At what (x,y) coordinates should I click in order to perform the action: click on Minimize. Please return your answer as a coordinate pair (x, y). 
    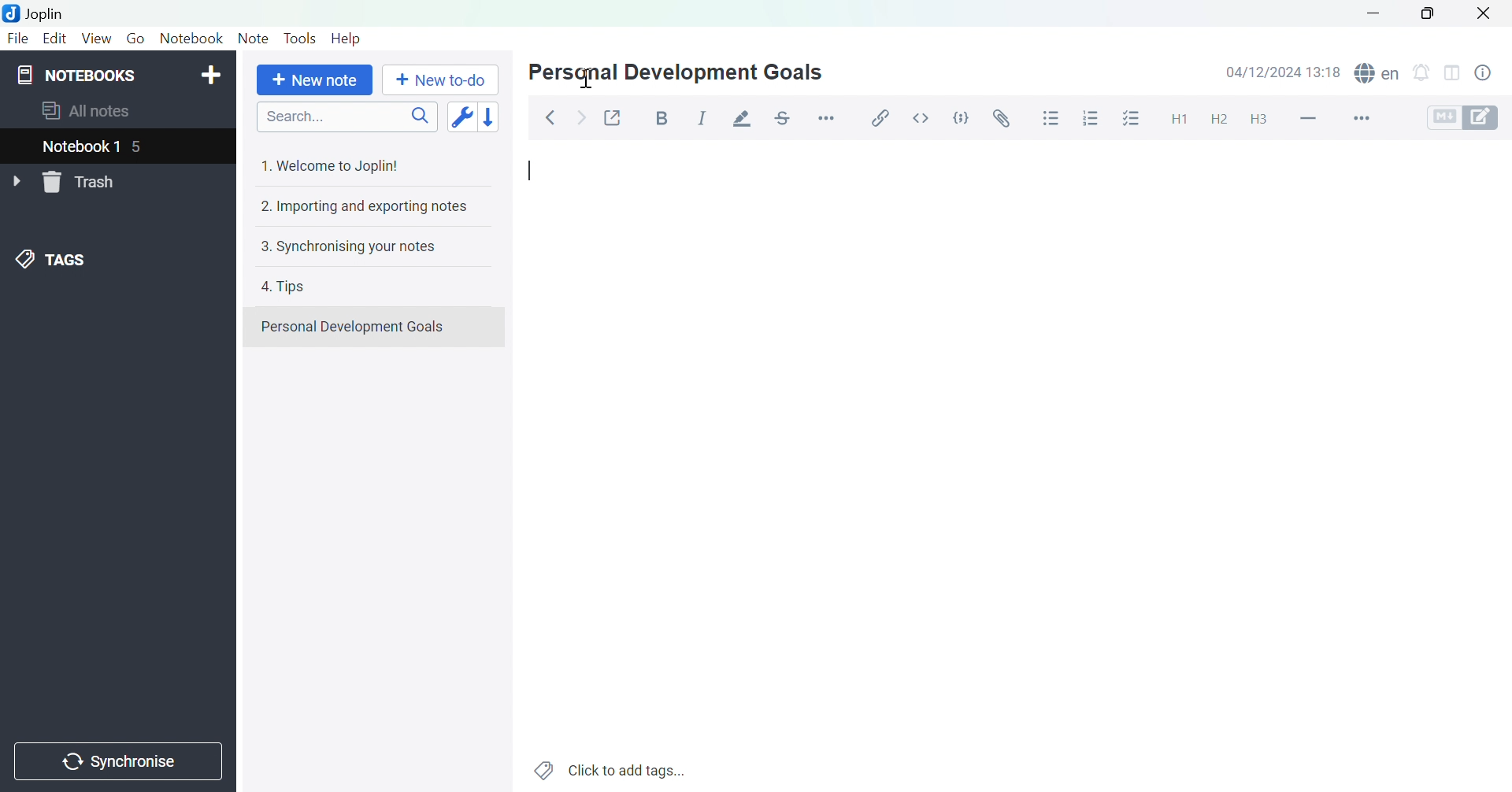
    Looking at the image, I should click on (1371, 13).